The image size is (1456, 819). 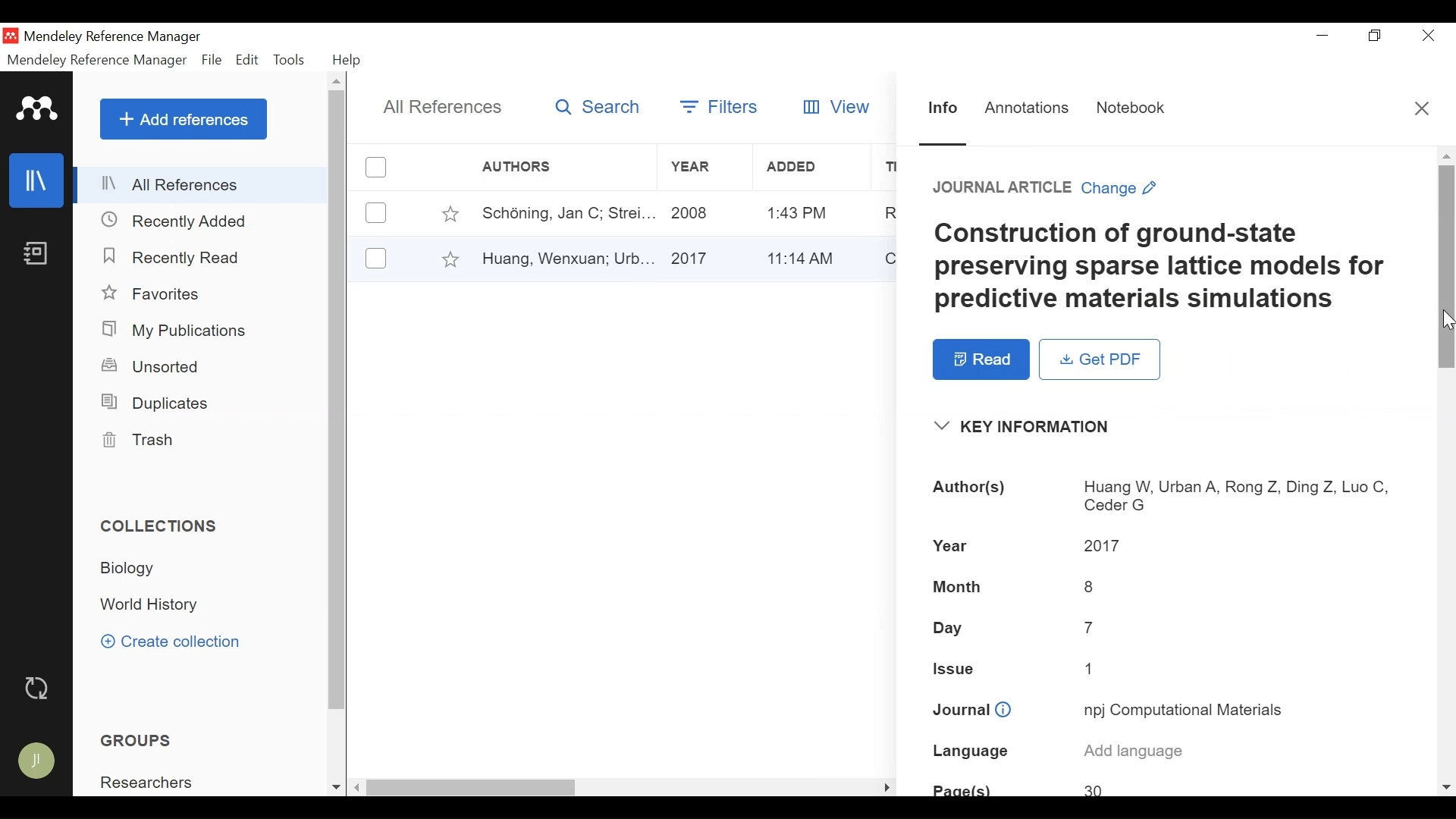 What do you see at coordinates (37, 761) in the screenshot?
I see `Avatar` at bounding box center [37, 761].